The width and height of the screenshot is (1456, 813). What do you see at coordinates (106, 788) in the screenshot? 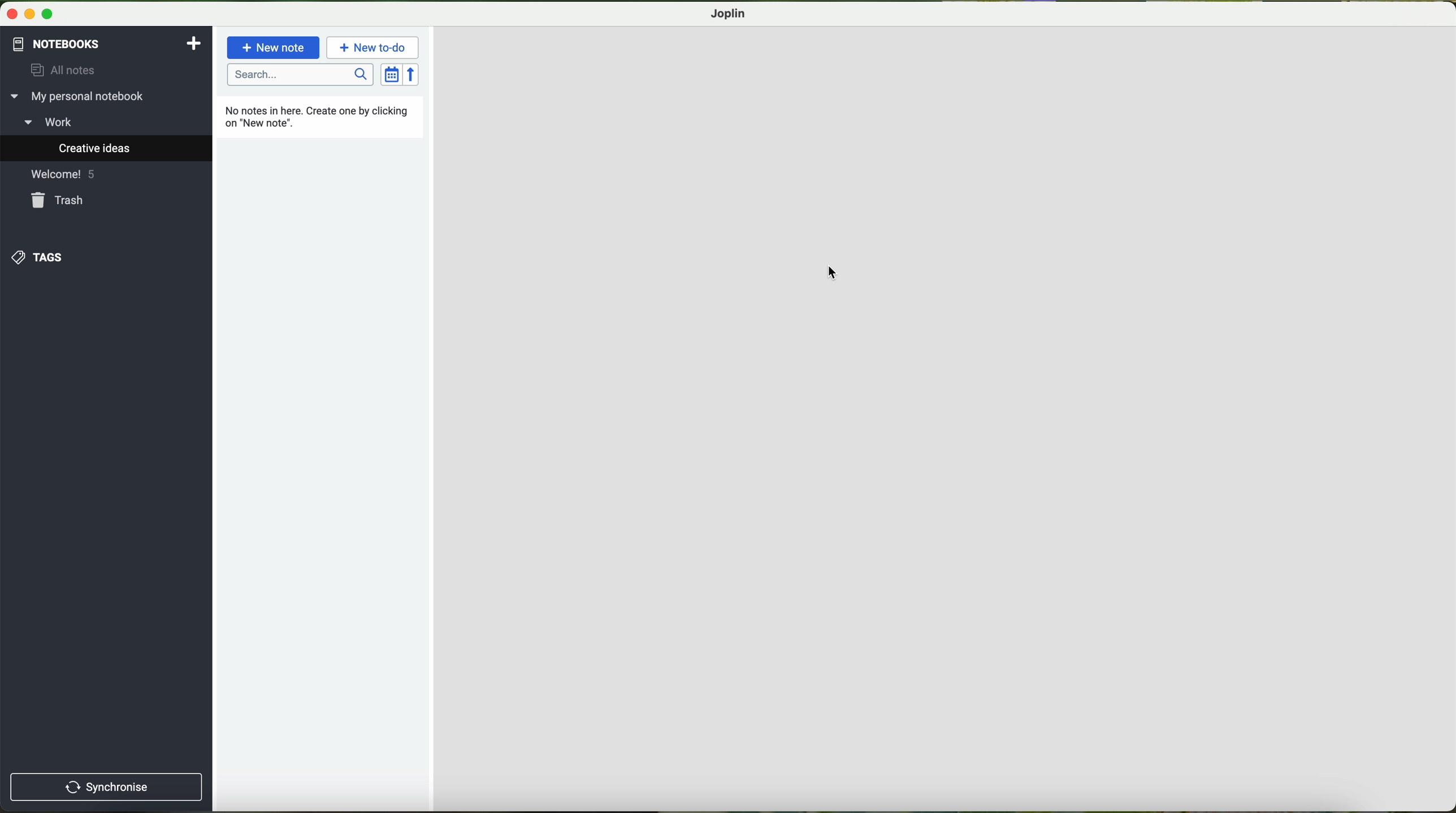
I see `synchronise button` at bounding box center [106, 788].